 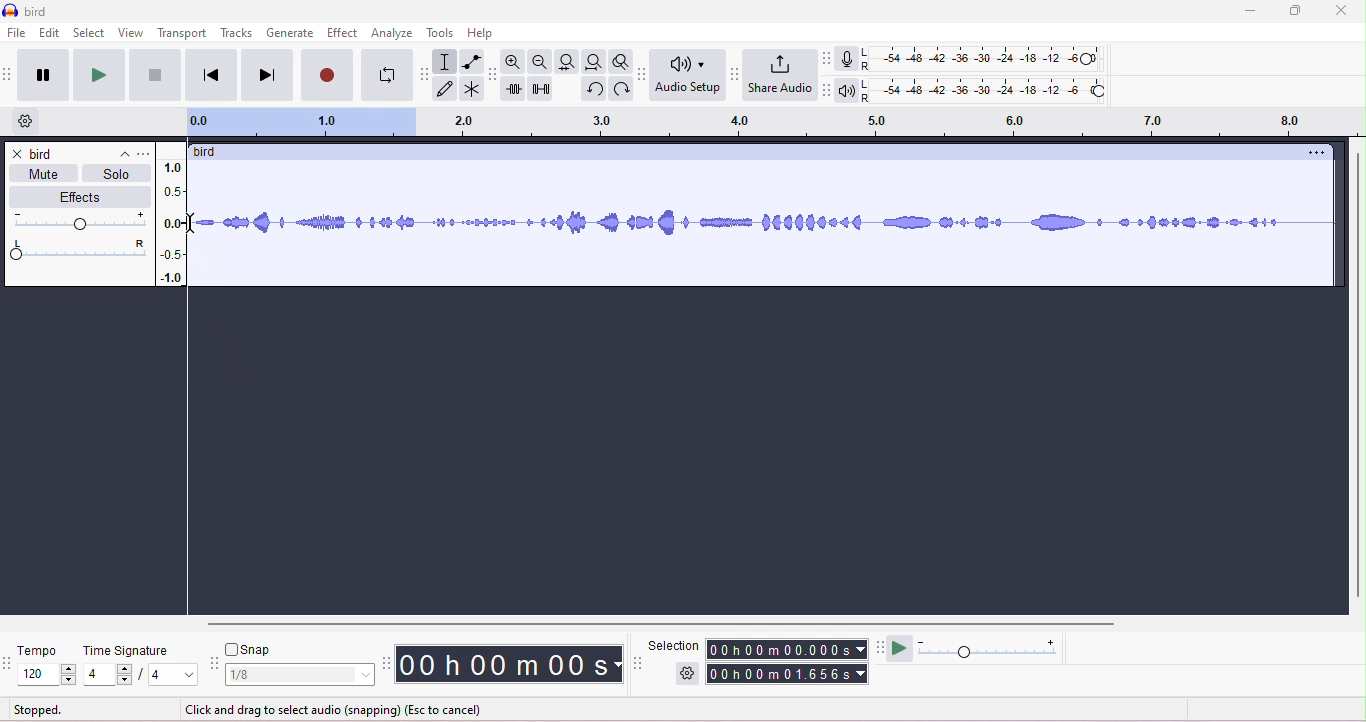 What do you see at coordinates (644, 74) in the screenshot?
I see `audio set up tool bar` at bounding box center [644, 74].